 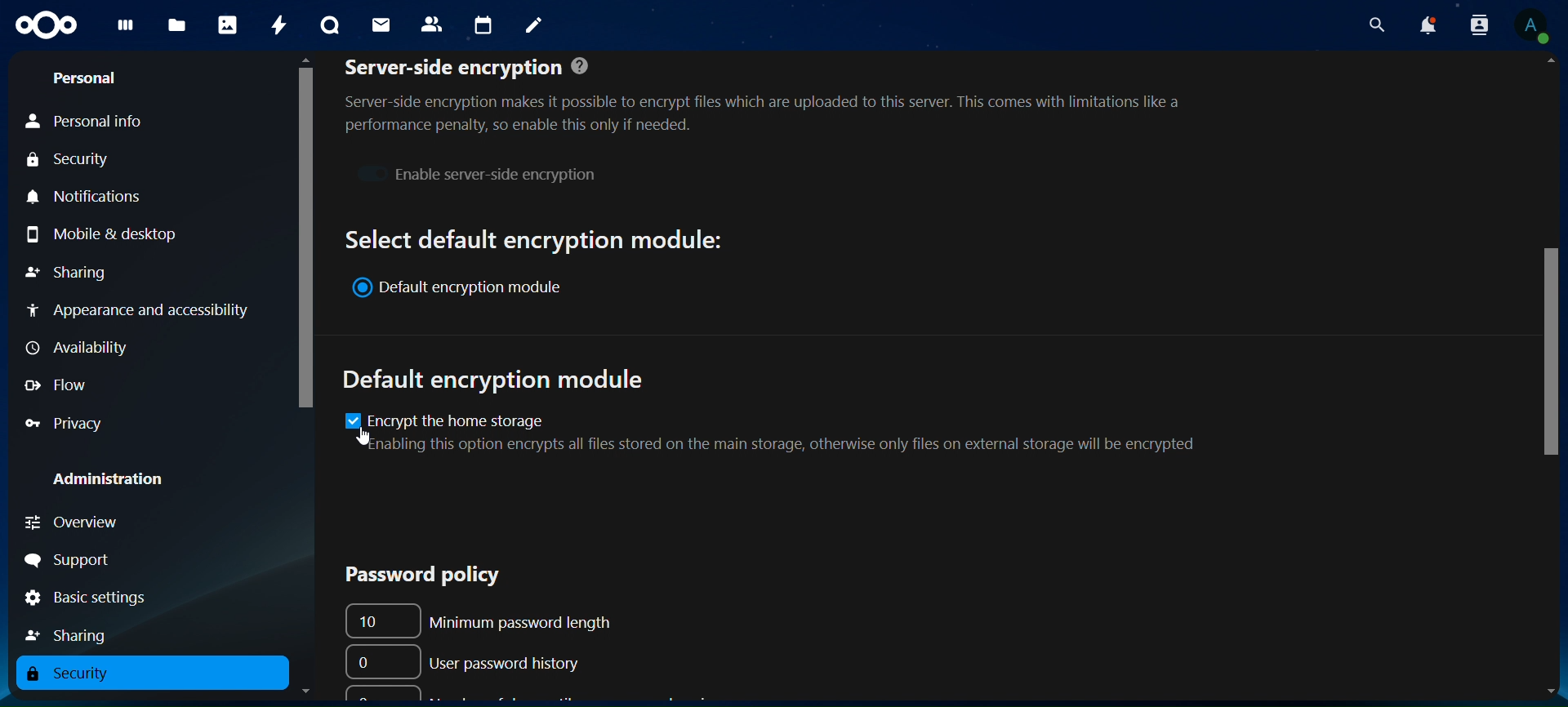 I want to click on view profile, so click(x=1533, y=26).